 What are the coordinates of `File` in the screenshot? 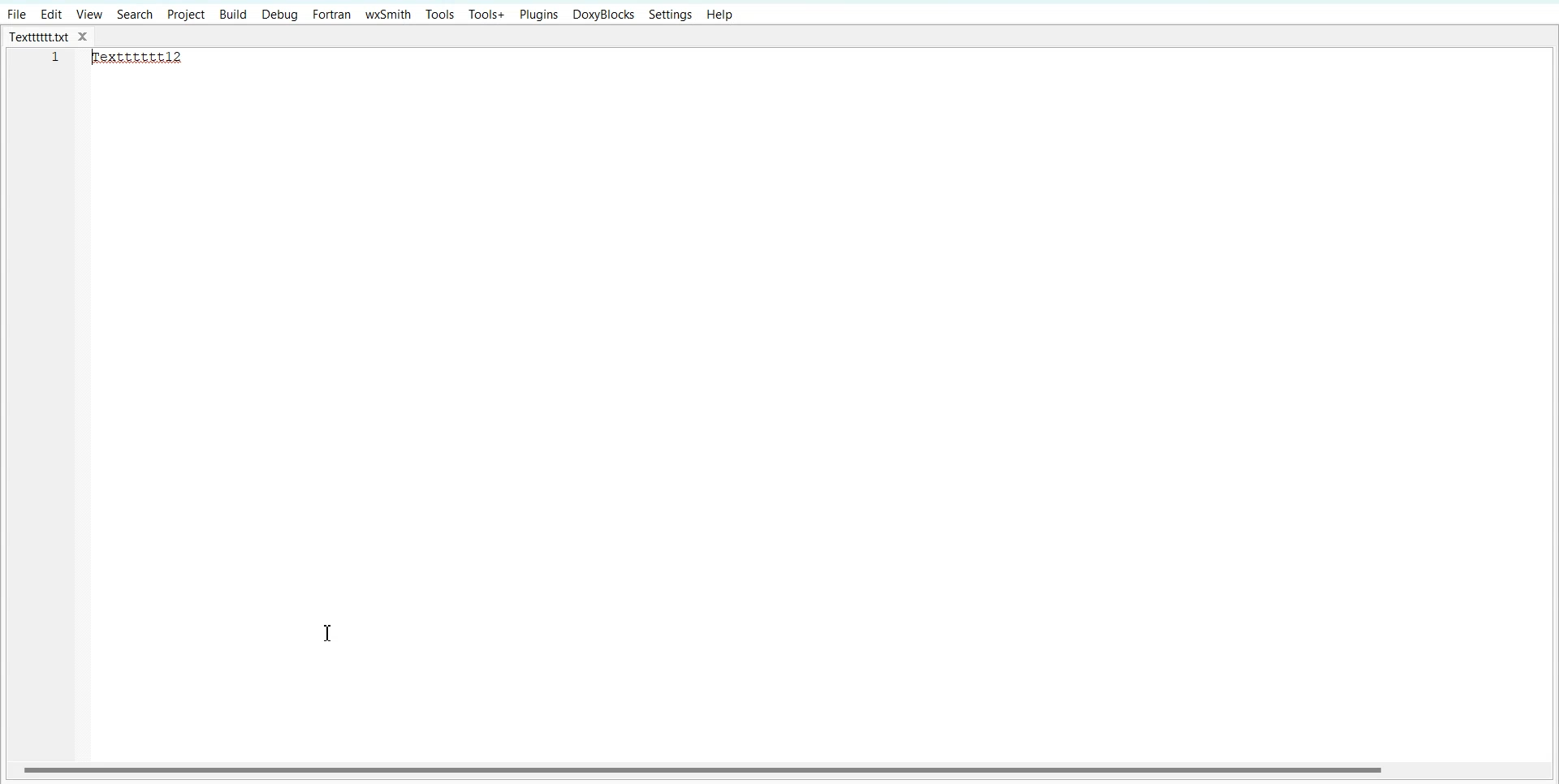 It's located at (16, 14).